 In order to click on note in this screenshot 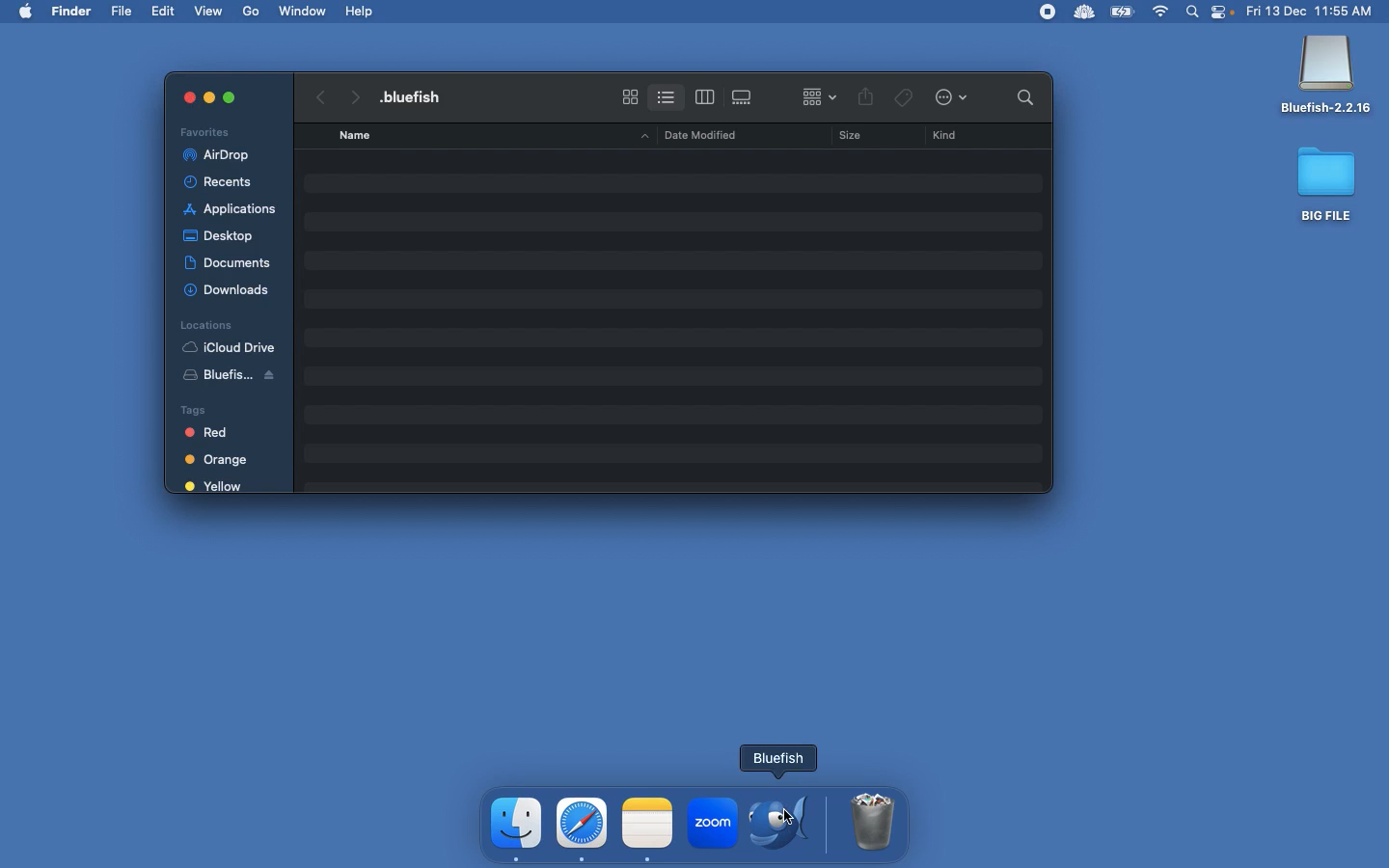, I will do `click(647, 821)`.